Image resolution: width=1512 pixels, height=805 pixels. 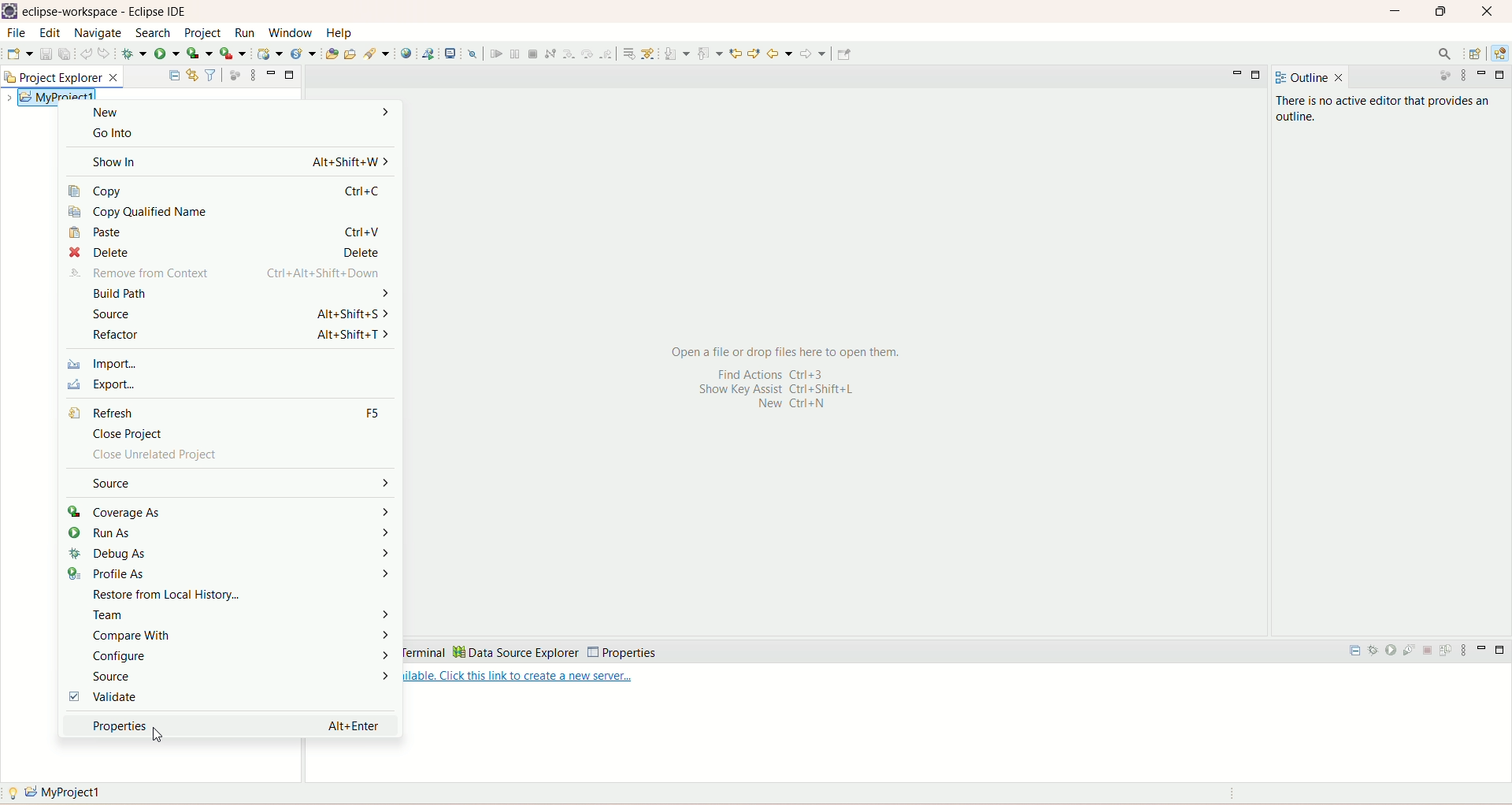 What do you see at coordinates (651, 53) in the screenshot?
I see `use step filters` at bounding box center [651, 53].